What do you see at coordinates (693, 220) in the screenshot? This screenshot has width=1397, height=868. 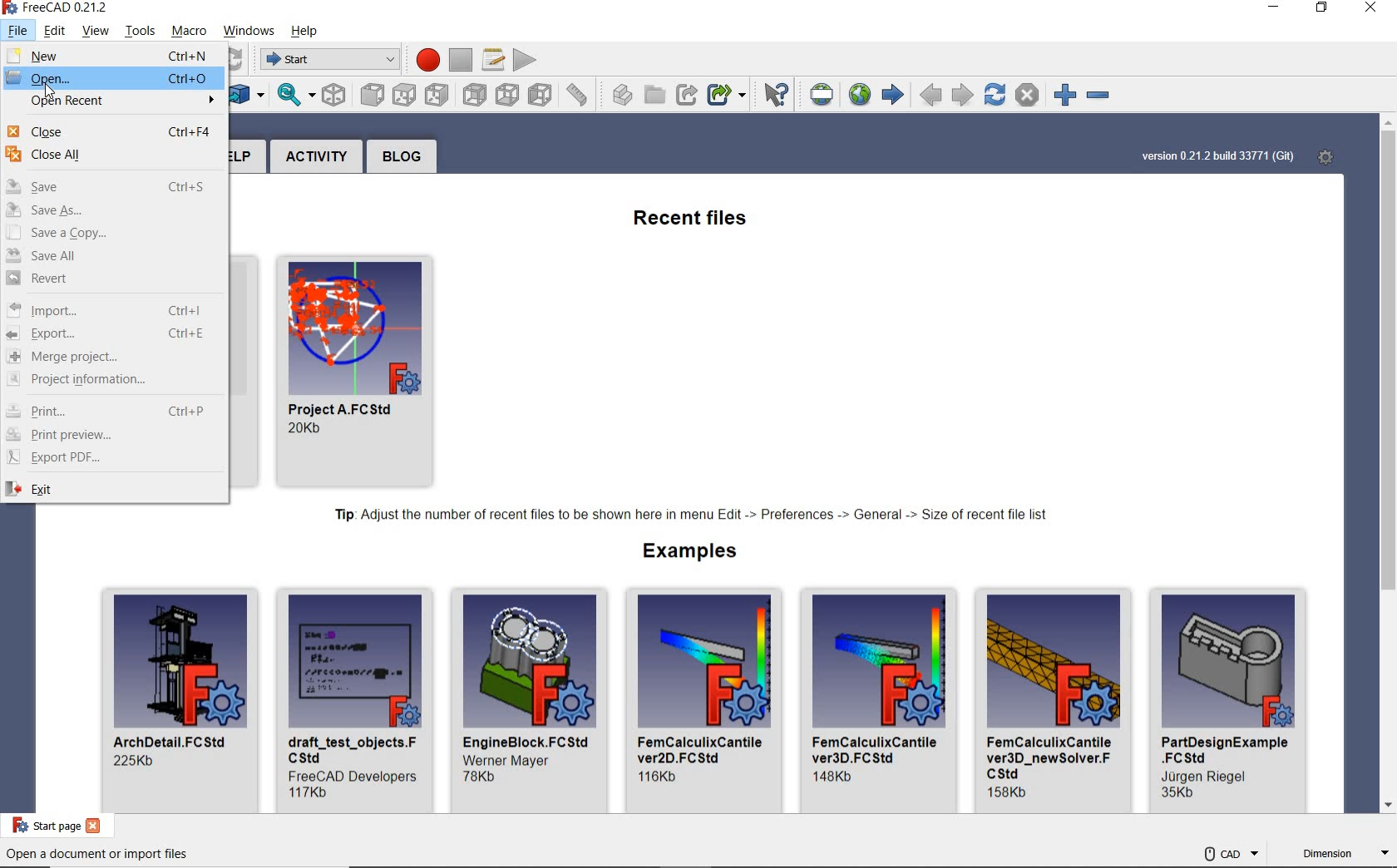 I see `RECENTFILES` at bounding box center [693, 220].